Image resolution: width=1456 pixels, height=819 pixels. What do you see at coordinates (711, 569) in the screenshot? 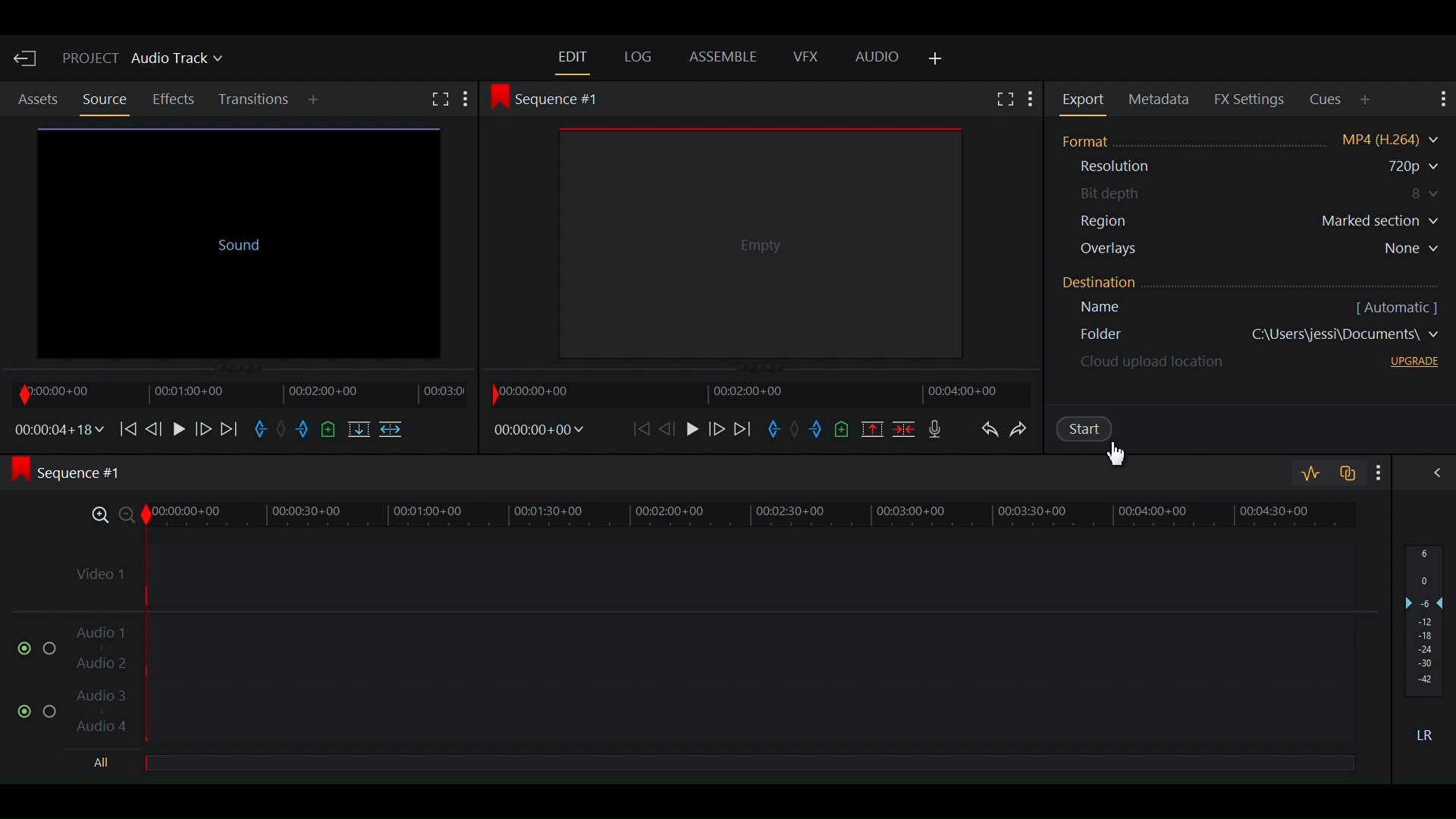
I see `Video Track` at bounding box center [711, 569].